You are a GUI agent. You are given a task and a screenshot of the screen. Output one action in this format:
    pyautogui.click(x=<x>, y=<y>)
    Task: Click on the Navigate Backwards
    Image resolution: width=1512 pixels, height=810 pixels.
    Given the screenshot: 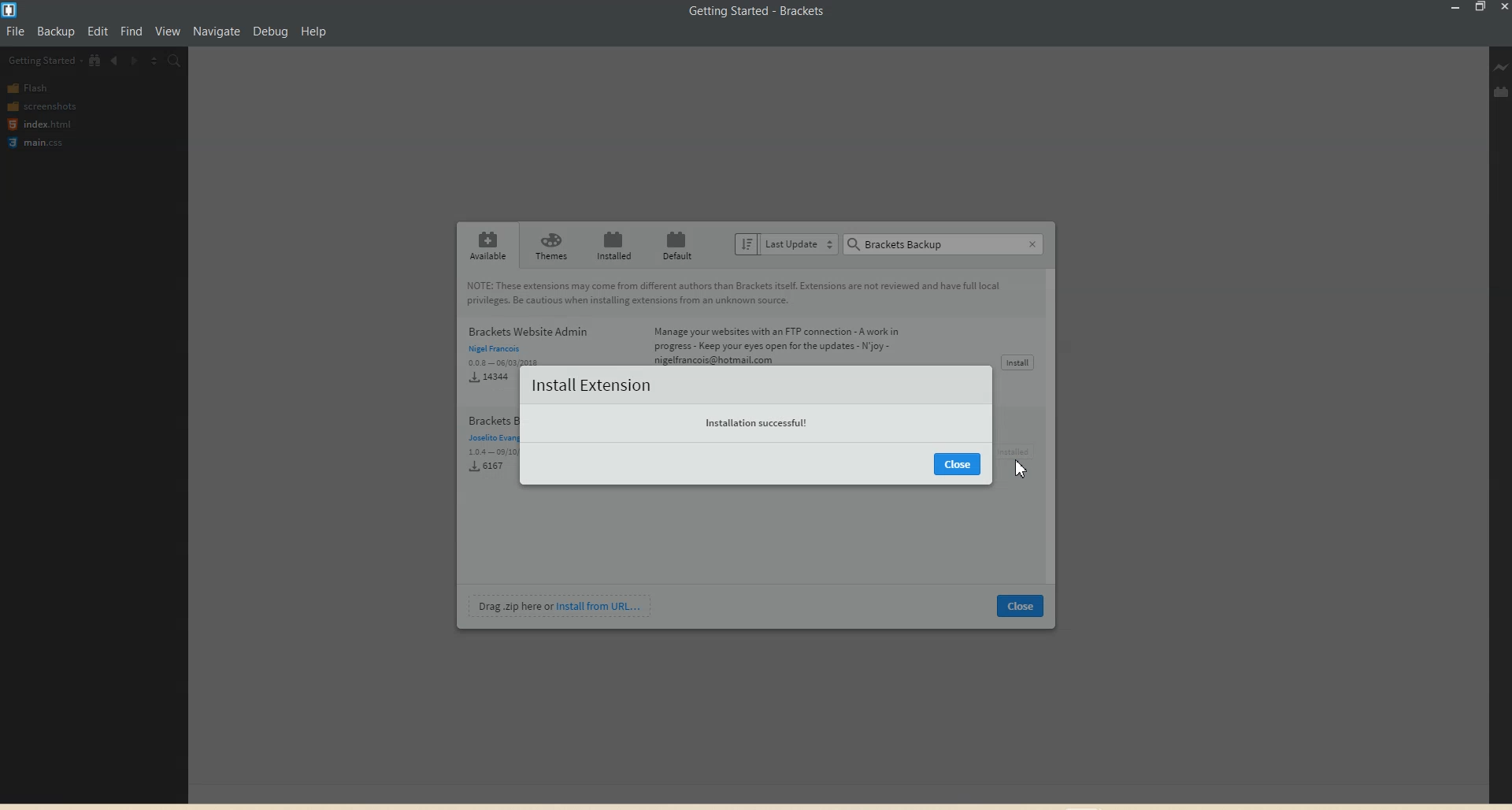 What is the action you would take?
    pyautogui.click(x=115, y=59)
    